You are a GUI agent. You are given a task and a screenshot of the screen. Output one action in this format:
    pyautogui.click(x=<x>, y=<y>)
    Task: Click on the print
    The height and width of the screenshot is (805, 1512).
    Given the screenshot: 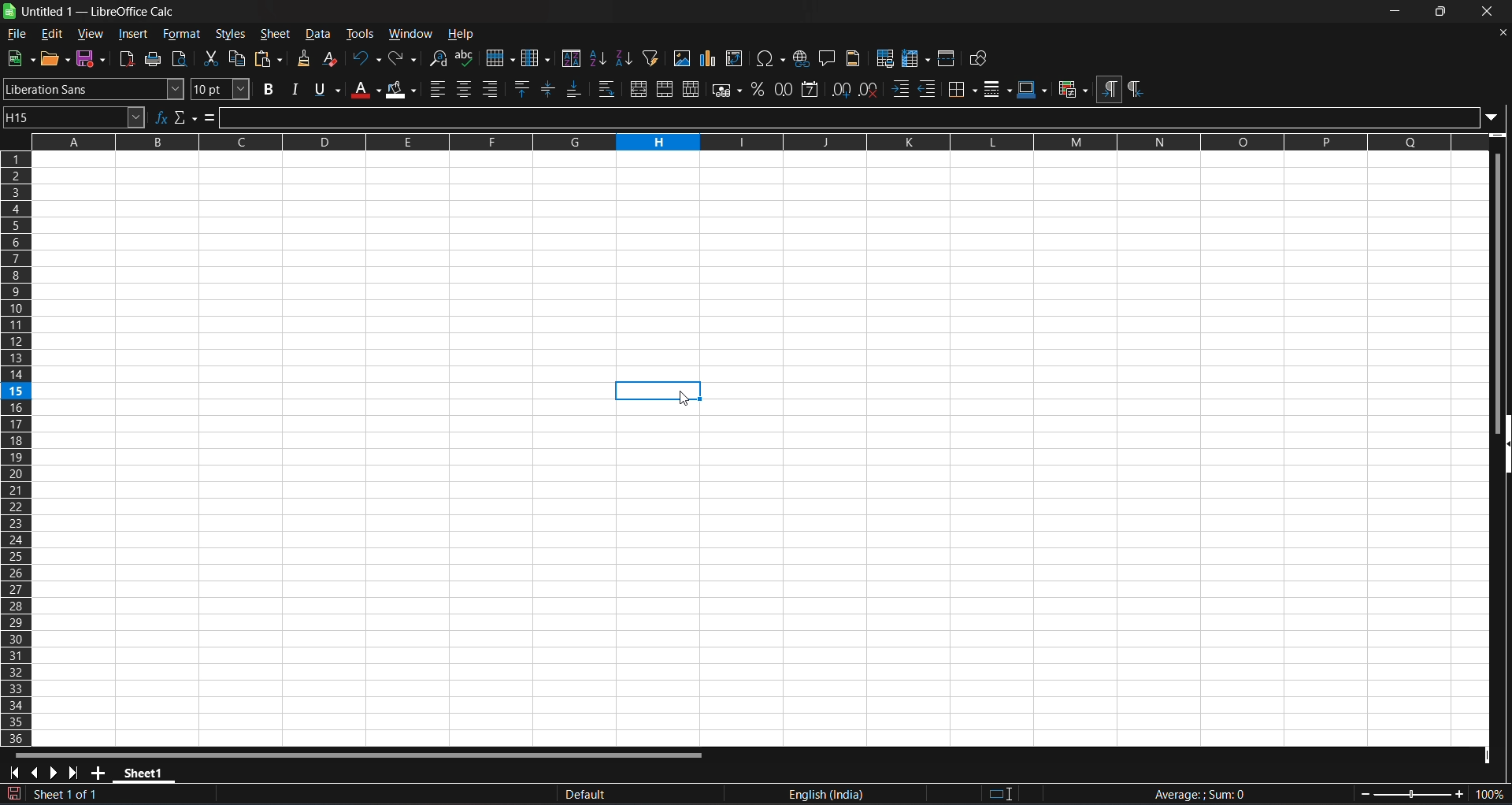 What is the action you would take?
    pyautogui.click(x=154, y=59)
    